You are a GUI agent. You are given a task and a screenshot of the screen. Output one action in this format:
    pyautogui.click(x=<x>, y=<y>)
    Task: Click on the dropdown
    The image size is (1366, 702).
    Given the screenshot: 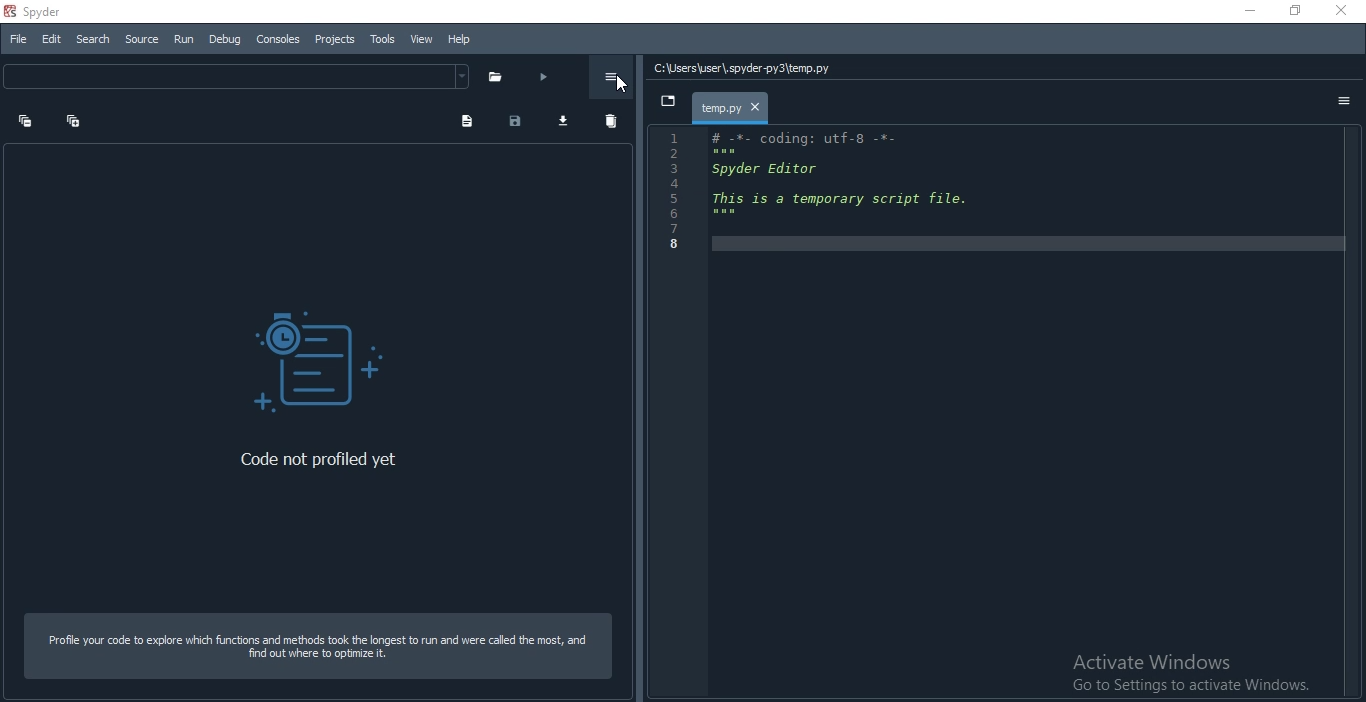 What is the action you would take?
    pyautogui.click(x=237, y=76)
    